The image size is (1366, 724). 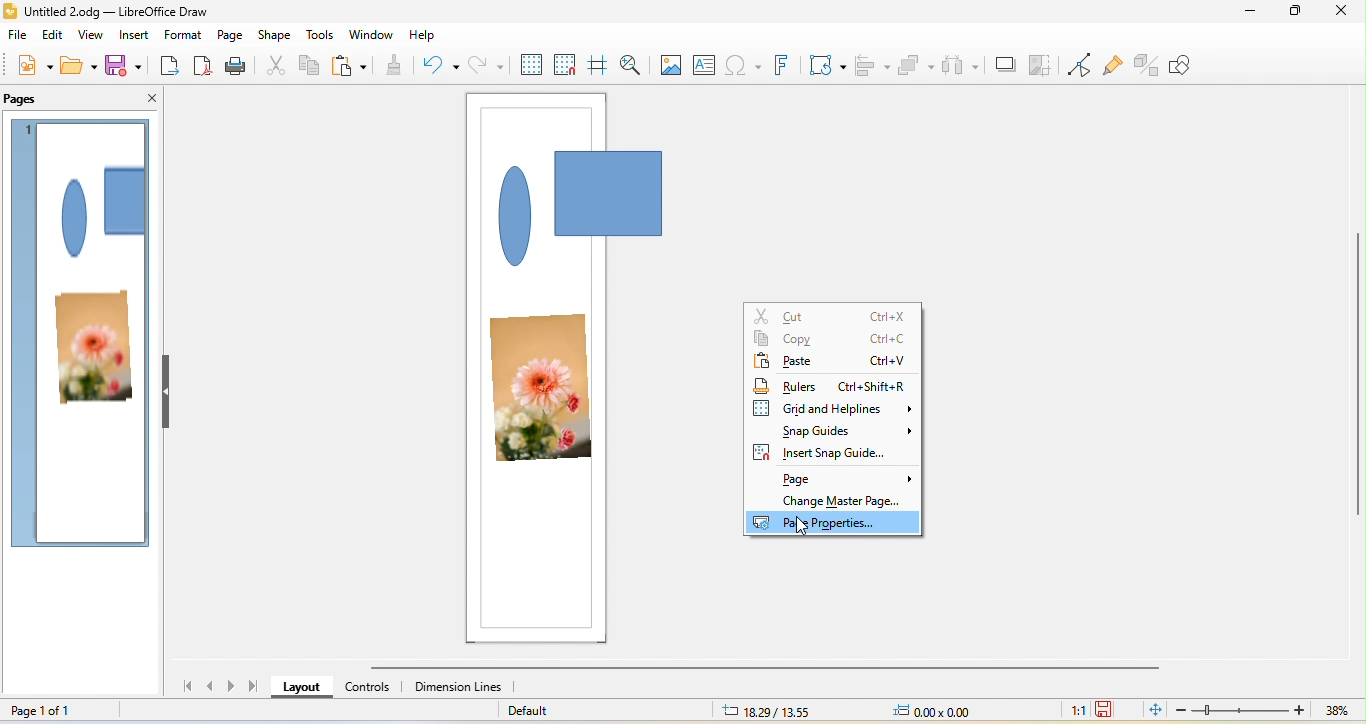 I want to click on toggle point edit mode, so click(x=1080, y=63).